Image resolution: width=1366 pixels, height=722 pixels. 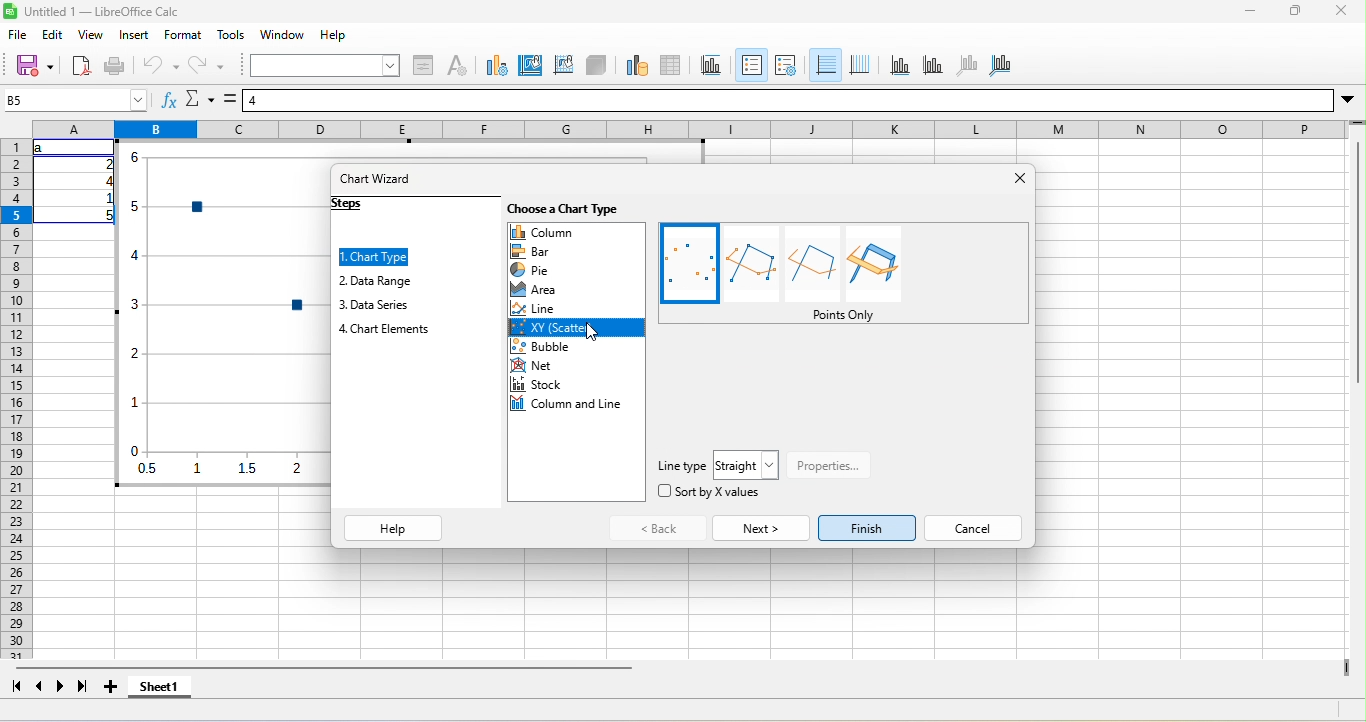 What do you see at coordinates (374, 257) in the screenshot?
I see `chart type` at bounding box center [374, 257].